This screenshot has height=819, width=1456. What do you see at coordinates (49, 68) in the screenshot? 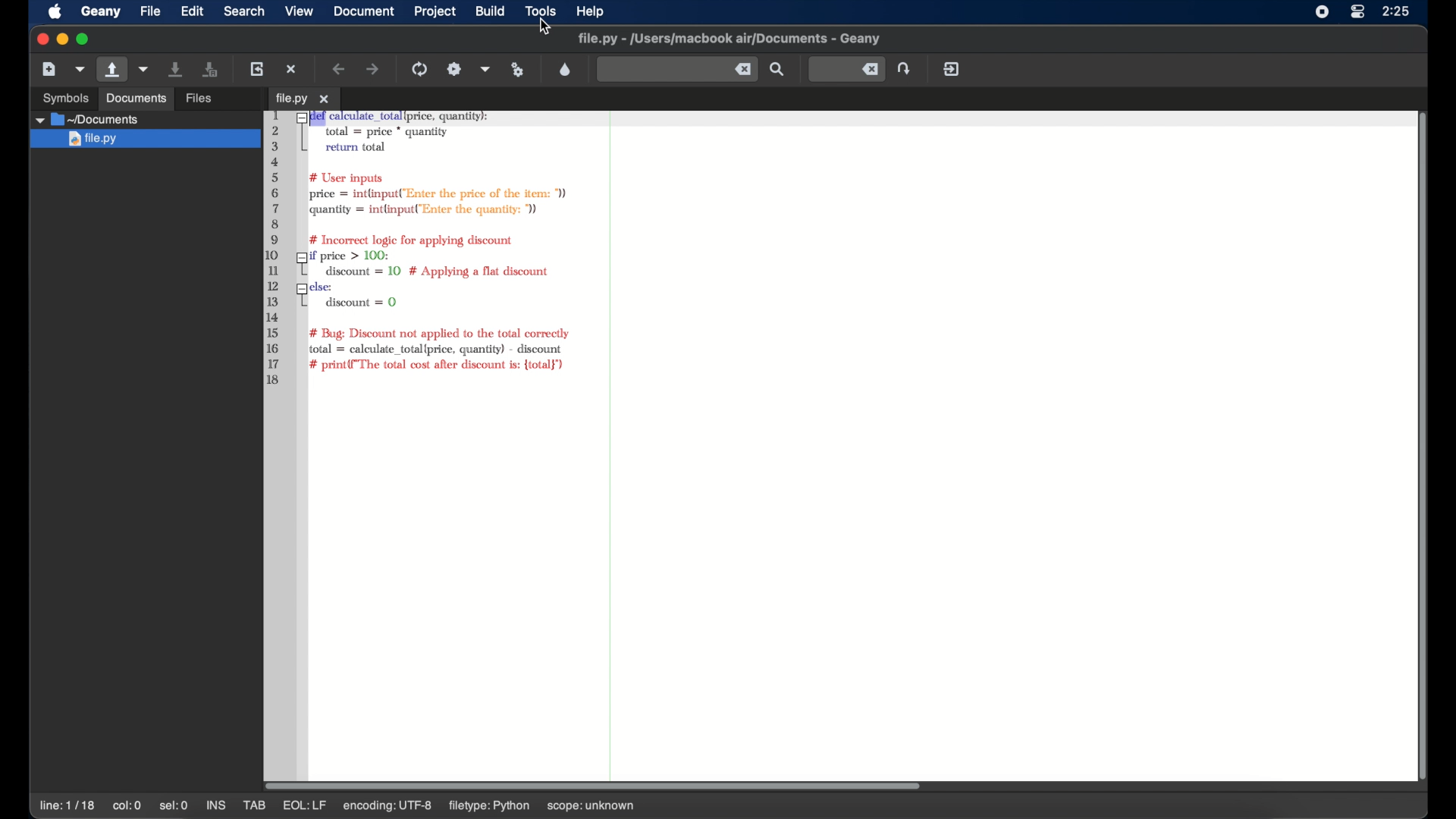
I see `create new` at bounding box center [49, 68].